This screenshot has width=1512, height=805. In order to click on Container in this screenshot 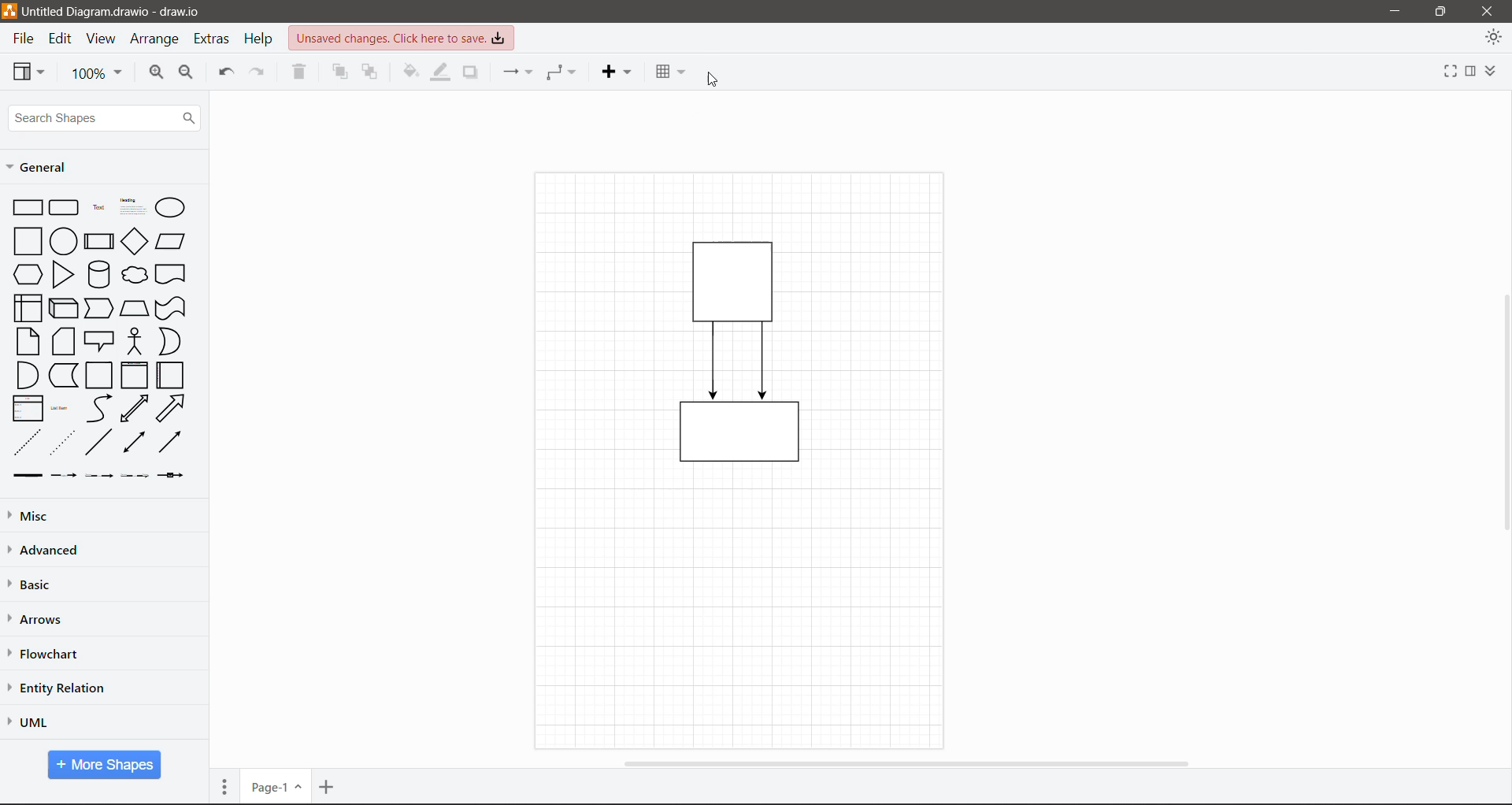, I will do `click(134, 375)`.